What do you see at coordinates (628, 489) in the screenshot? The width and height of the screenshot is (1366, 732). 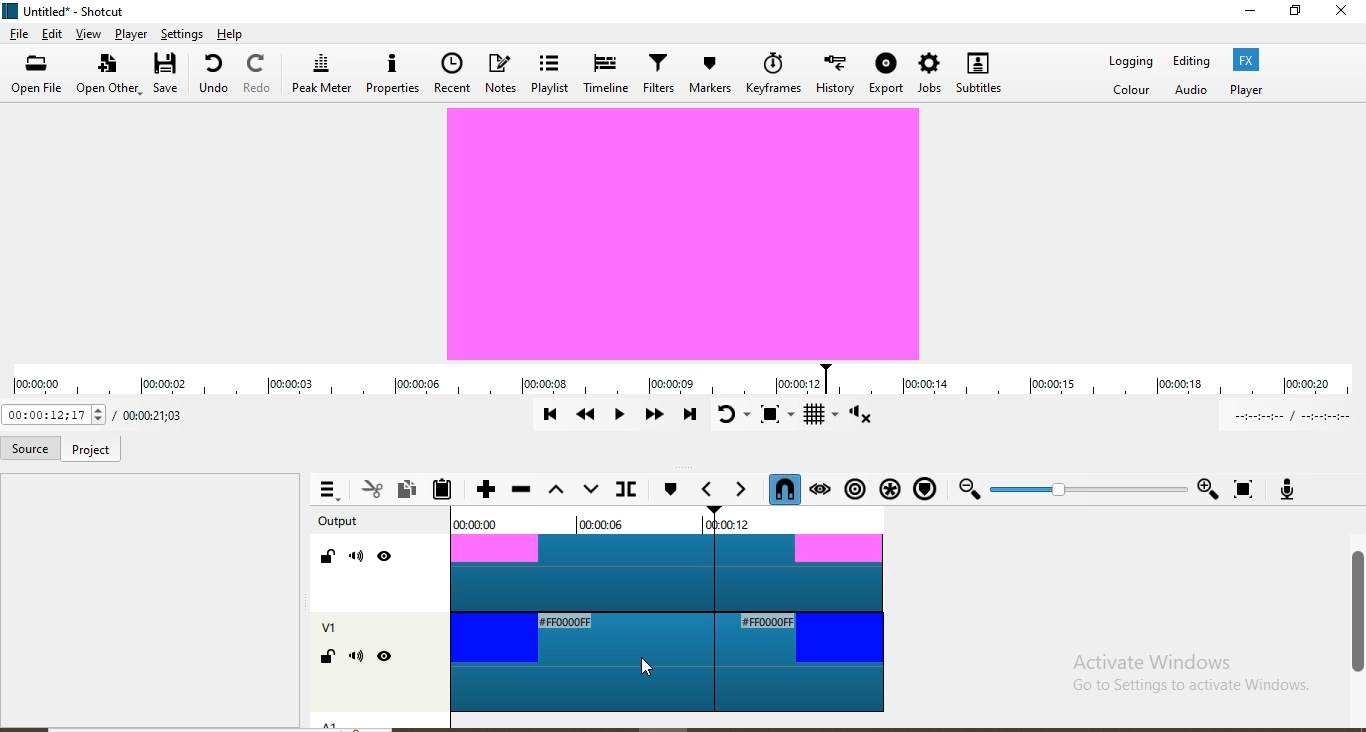 I see `Split at playhead` at bounding box center [628, 489].